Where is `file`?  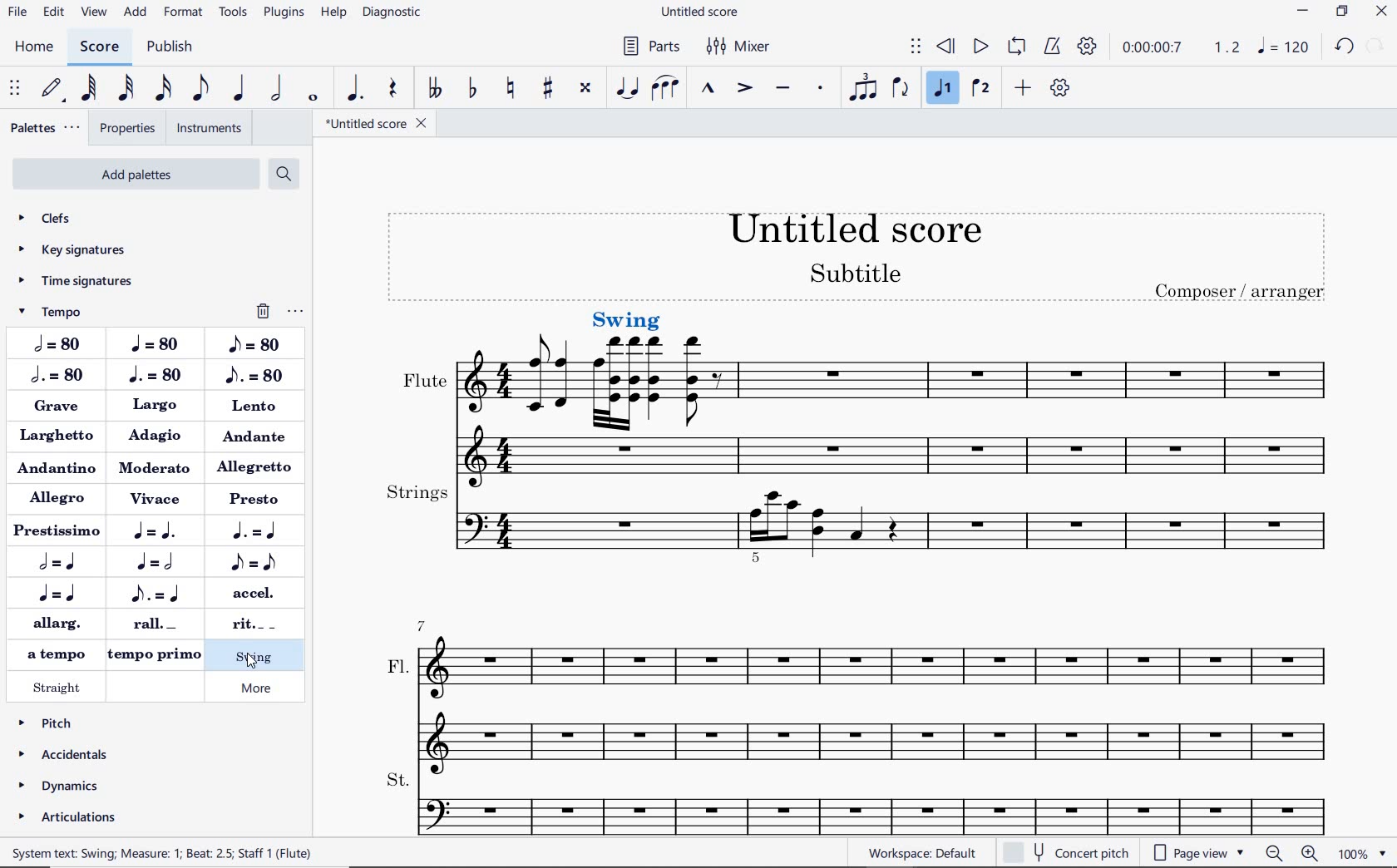 file is located at coordinates (17, 11).